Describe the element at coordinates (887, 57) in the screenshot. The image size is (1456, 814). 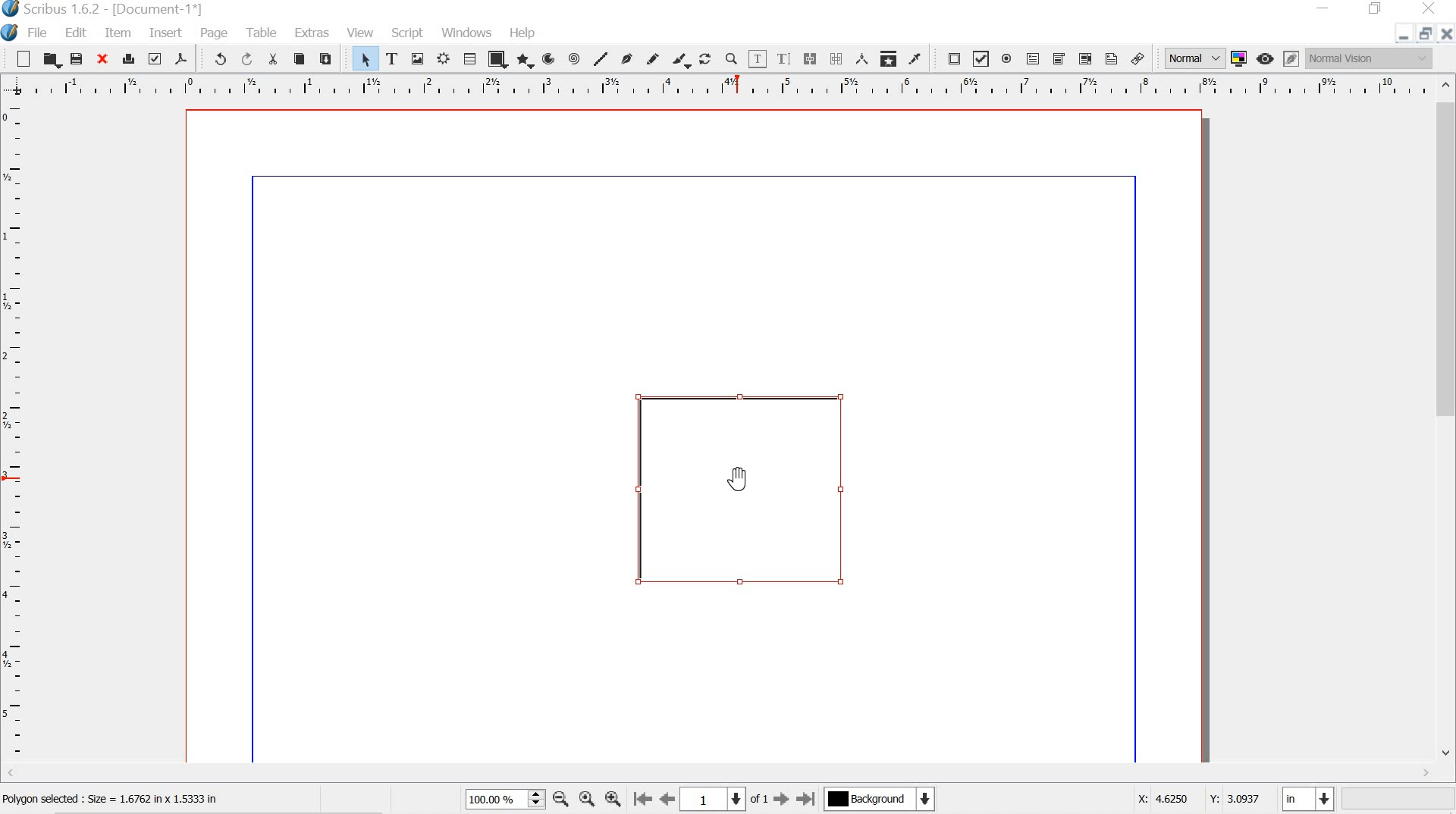
I see `copy item properties` at that location.